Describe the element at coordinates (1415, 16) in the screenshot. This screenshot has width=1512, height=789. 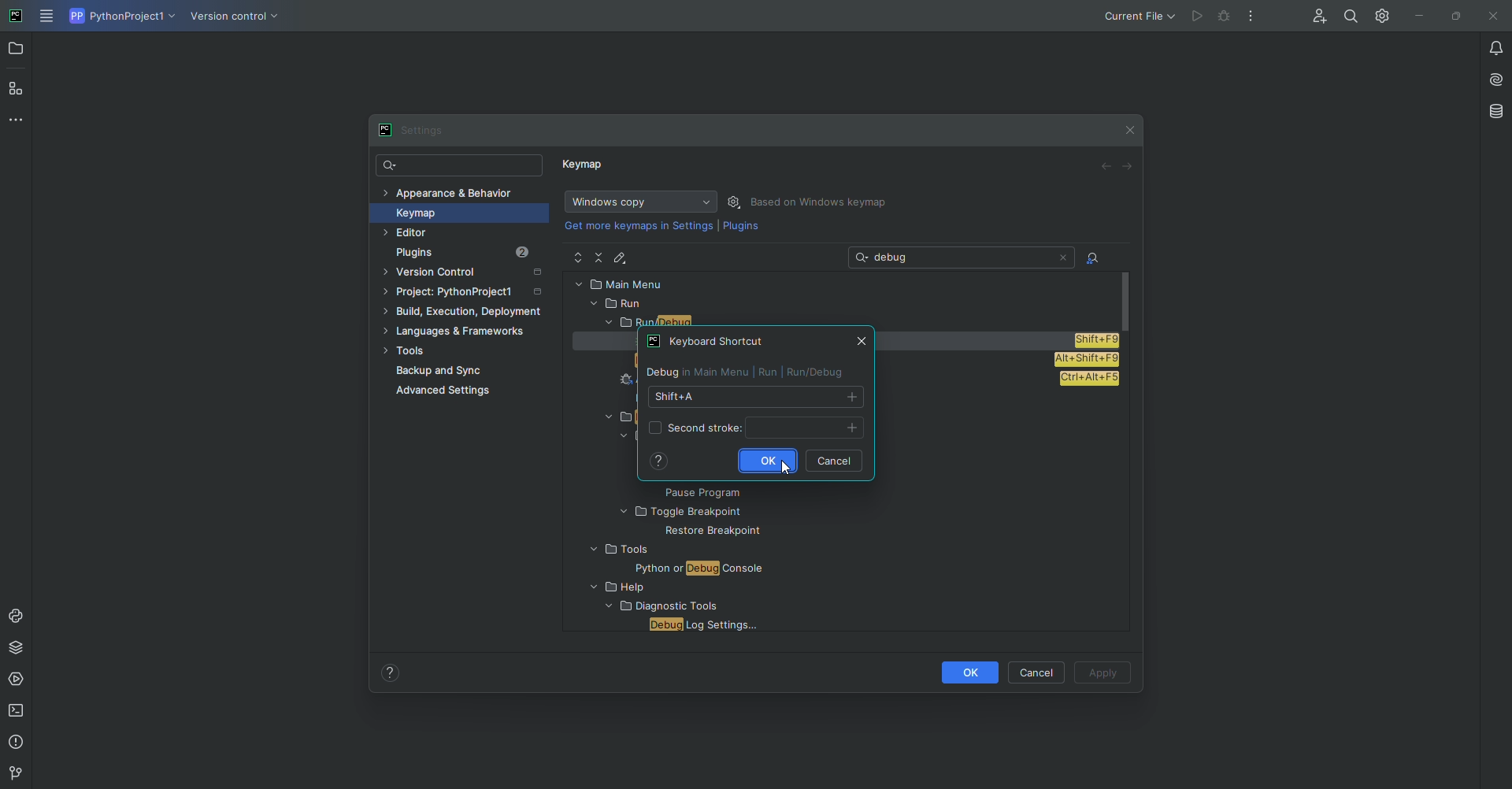
I see `Minimize` at that location.